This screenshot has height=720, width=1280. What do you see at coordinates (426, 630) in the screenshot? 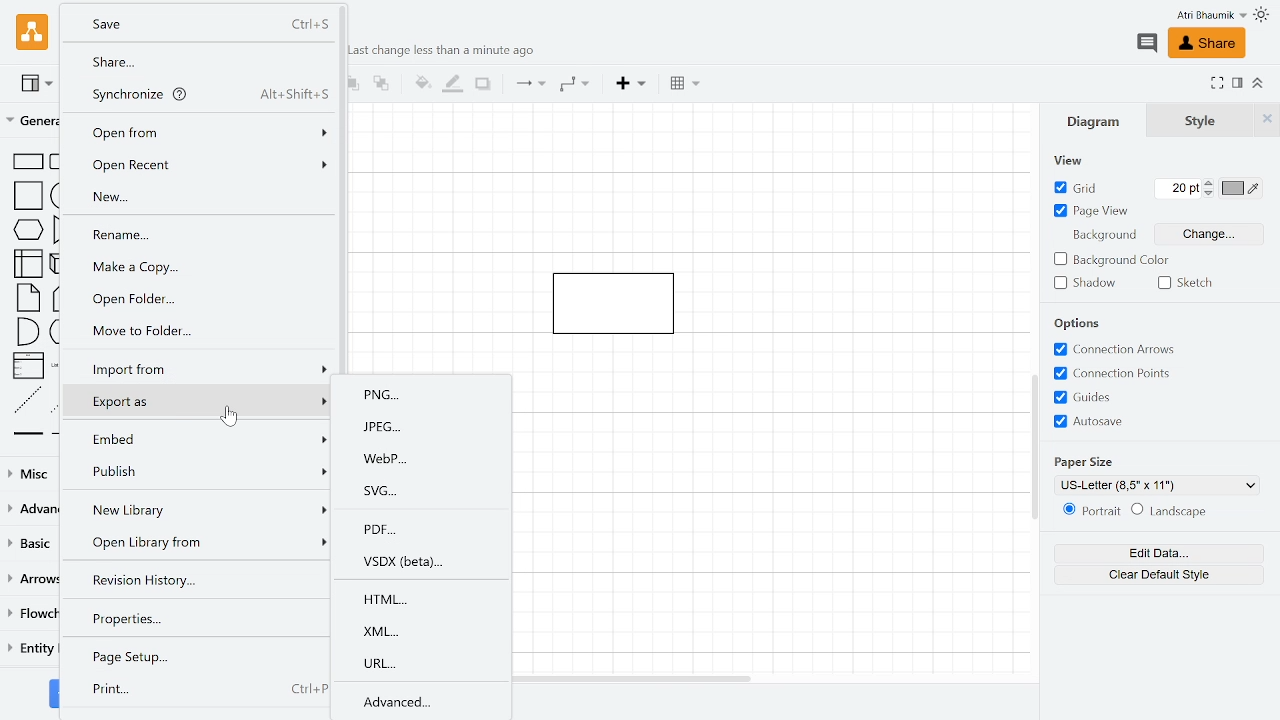
I see `XMl` at bounding box center [426, 630].